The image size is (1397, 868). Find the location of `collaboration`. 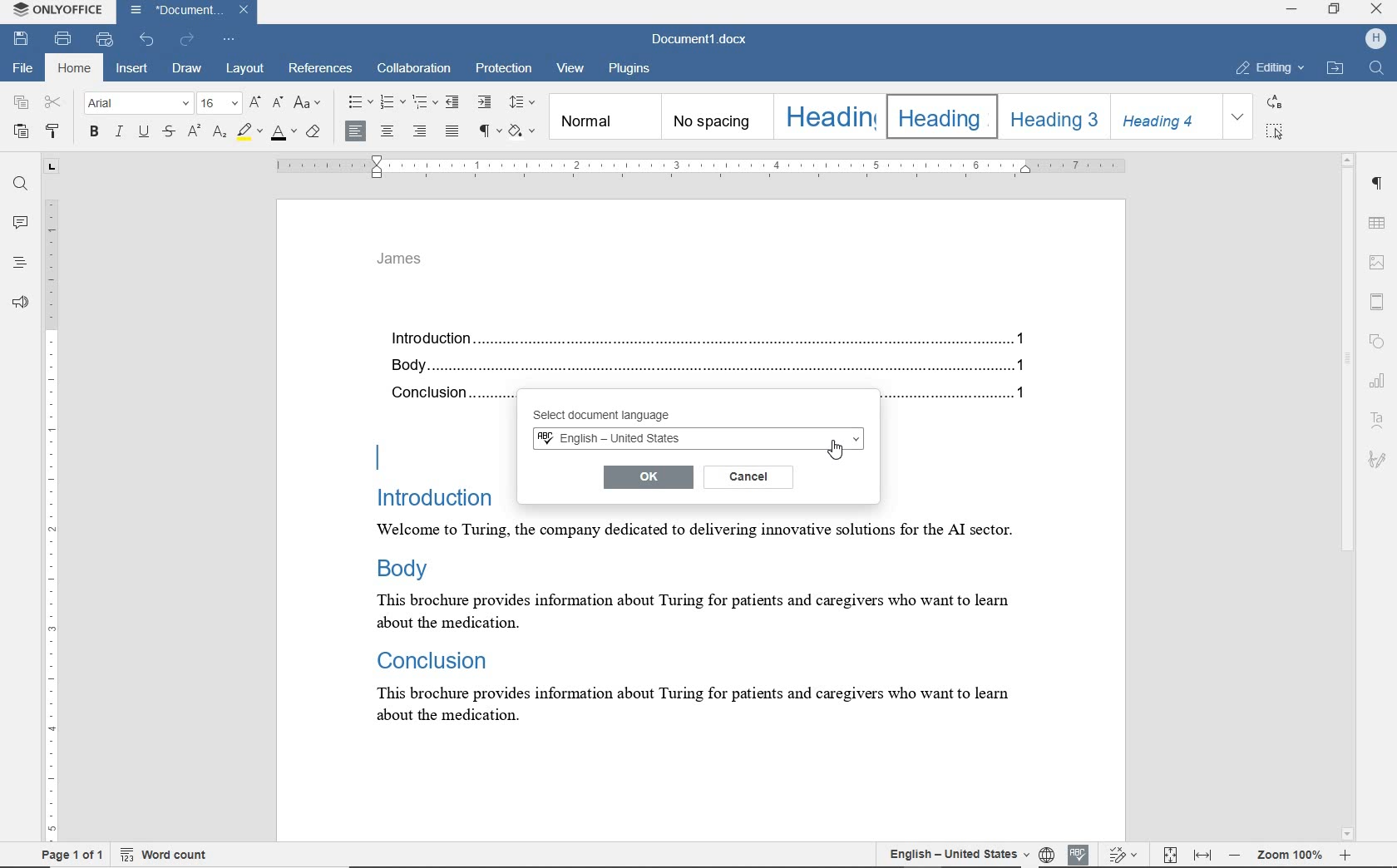

collaboration is located at coordinates (415, 70).